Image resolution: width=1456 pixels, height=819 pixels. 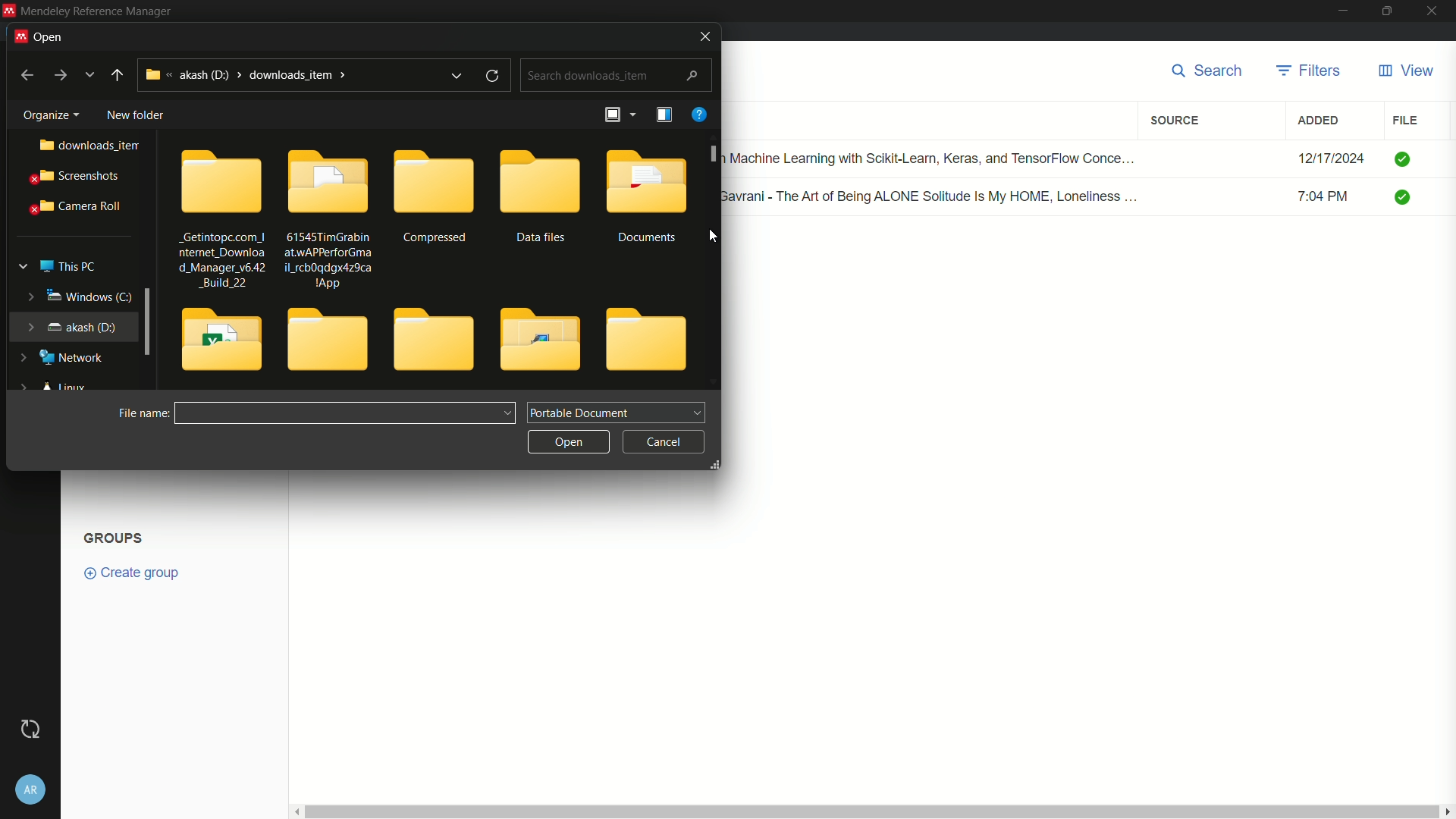 I want to click on cancel, so click(x=664, y=439).